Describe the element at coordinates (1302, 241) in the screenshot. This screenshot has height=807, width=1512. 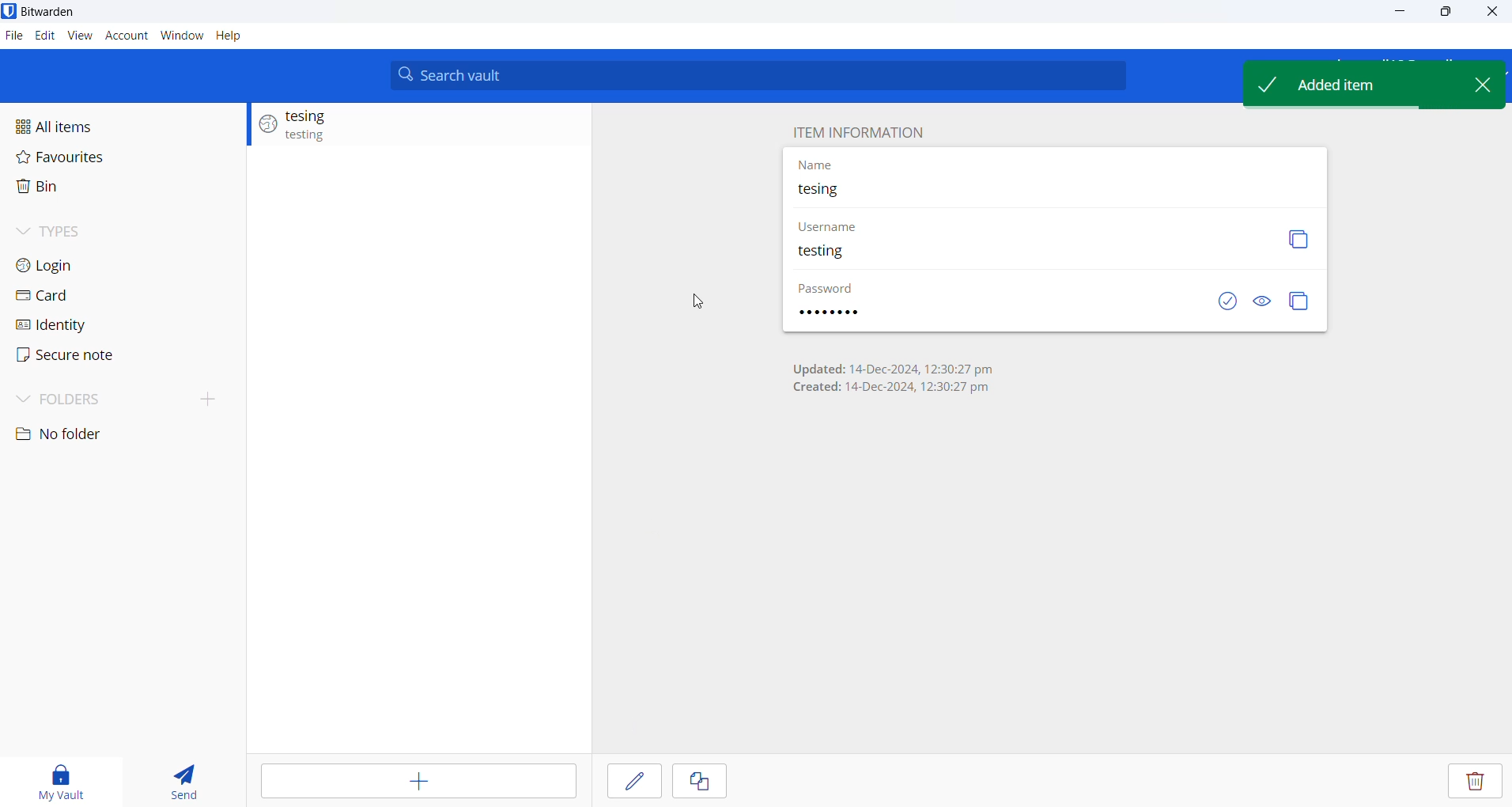
I see `copy username` at that location.